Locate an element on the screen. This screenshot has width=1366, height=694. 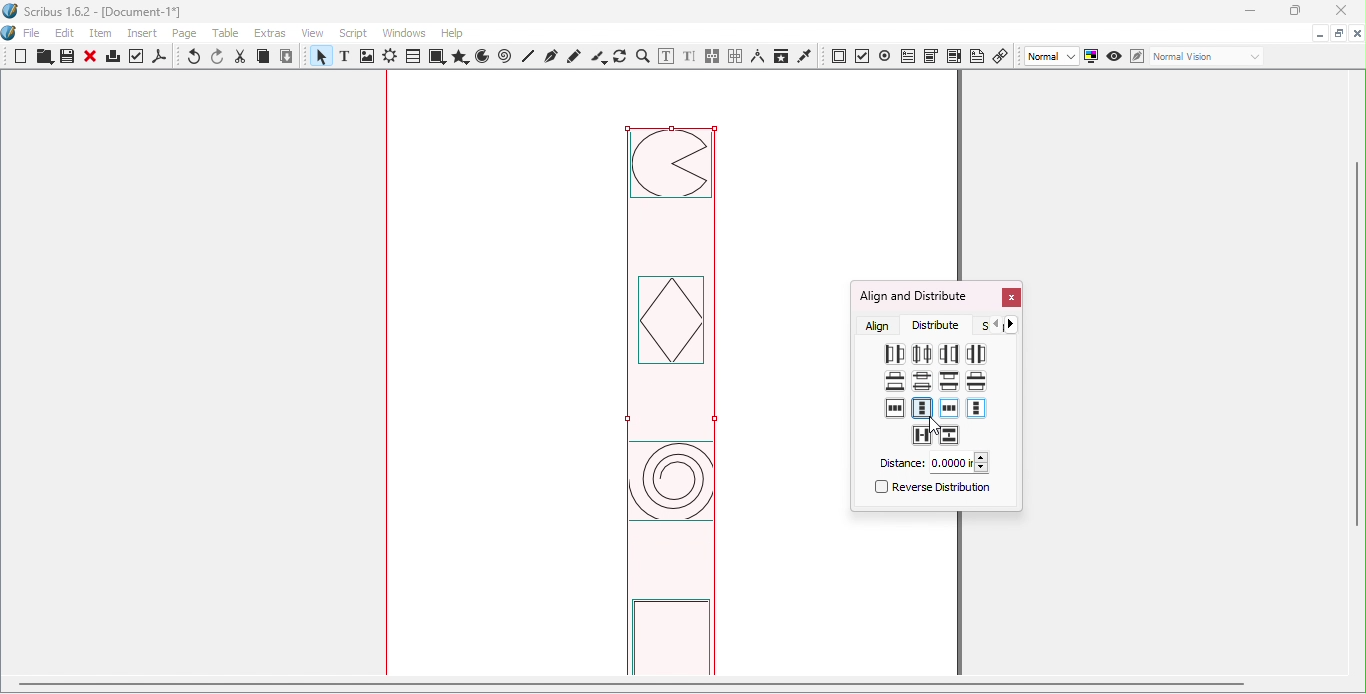
Save is located at coordinates (65, 57).